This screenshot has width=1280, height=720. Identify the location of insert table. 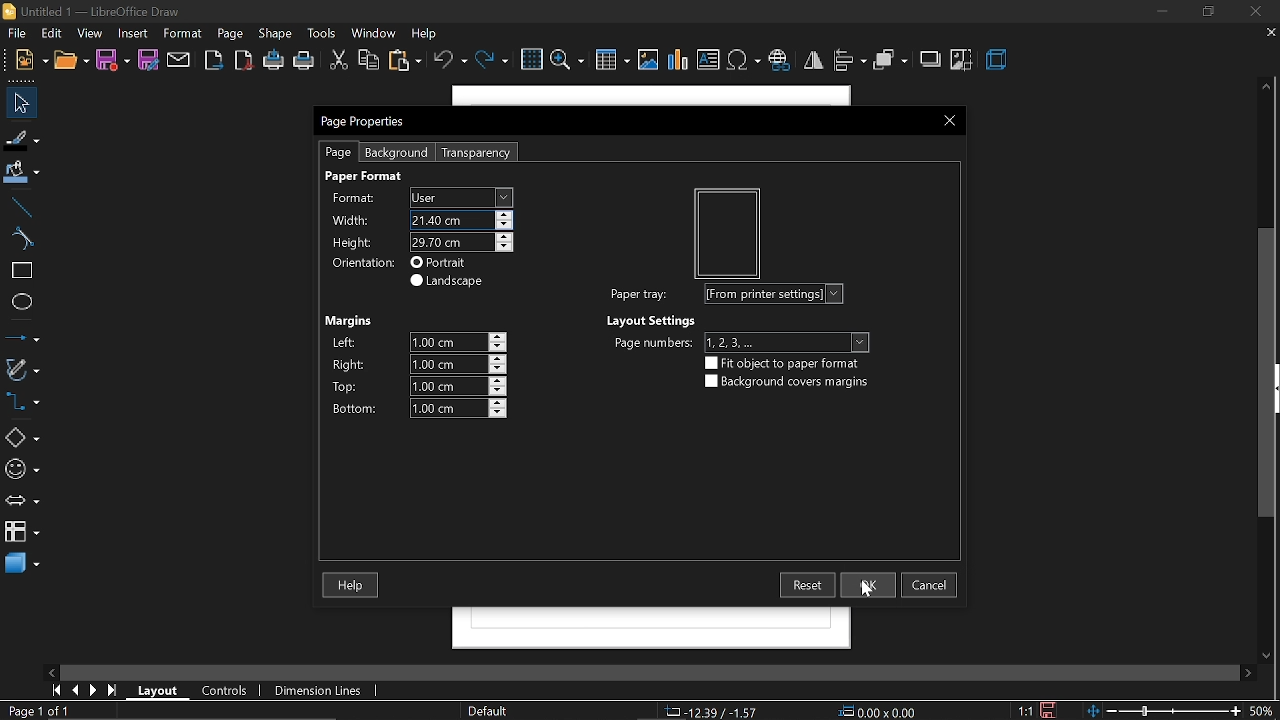
(611, 61).